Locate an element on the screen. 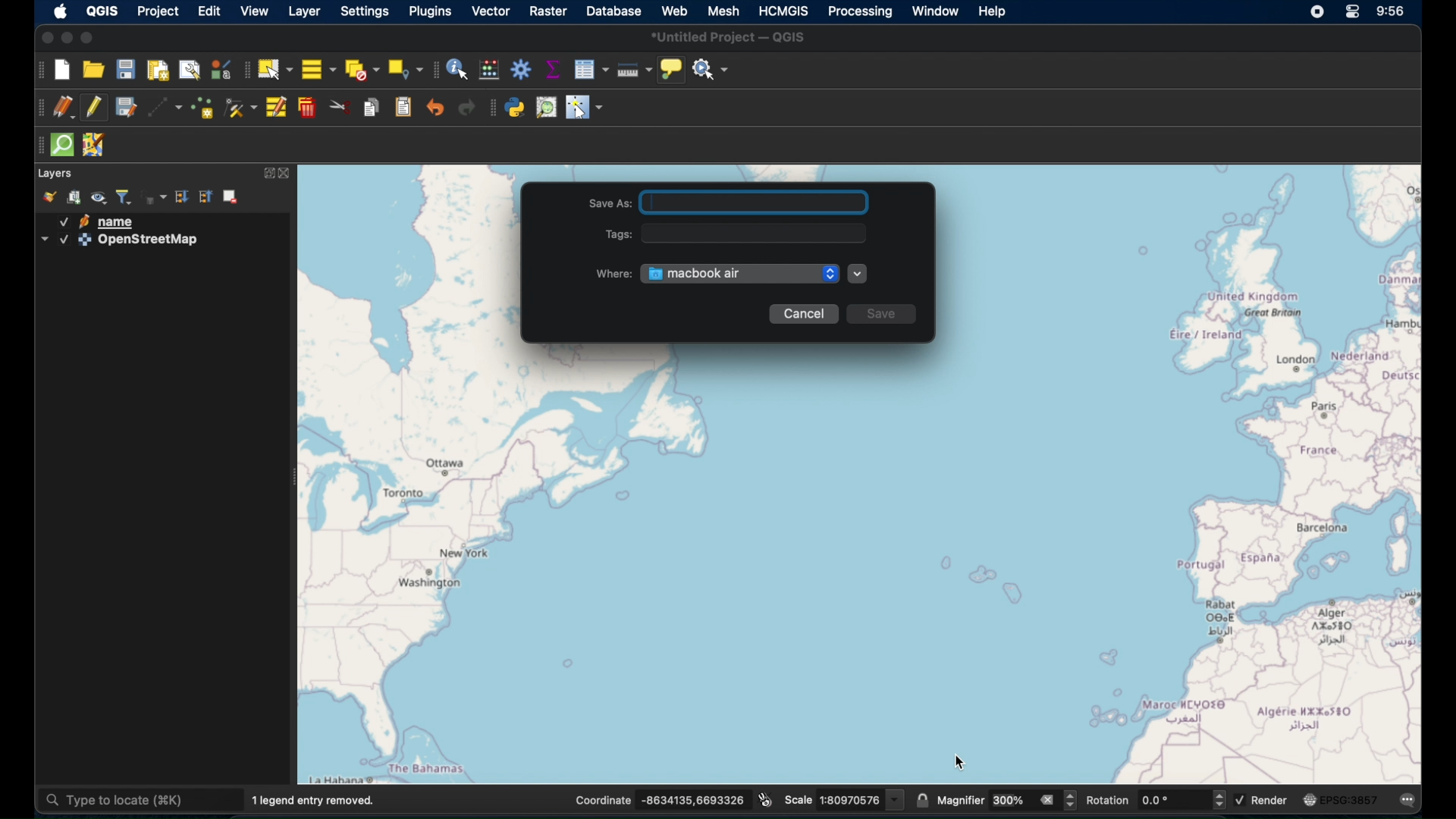 This screenshot has width=1456, height=819. toolbox is located at coordinates (521, 69).